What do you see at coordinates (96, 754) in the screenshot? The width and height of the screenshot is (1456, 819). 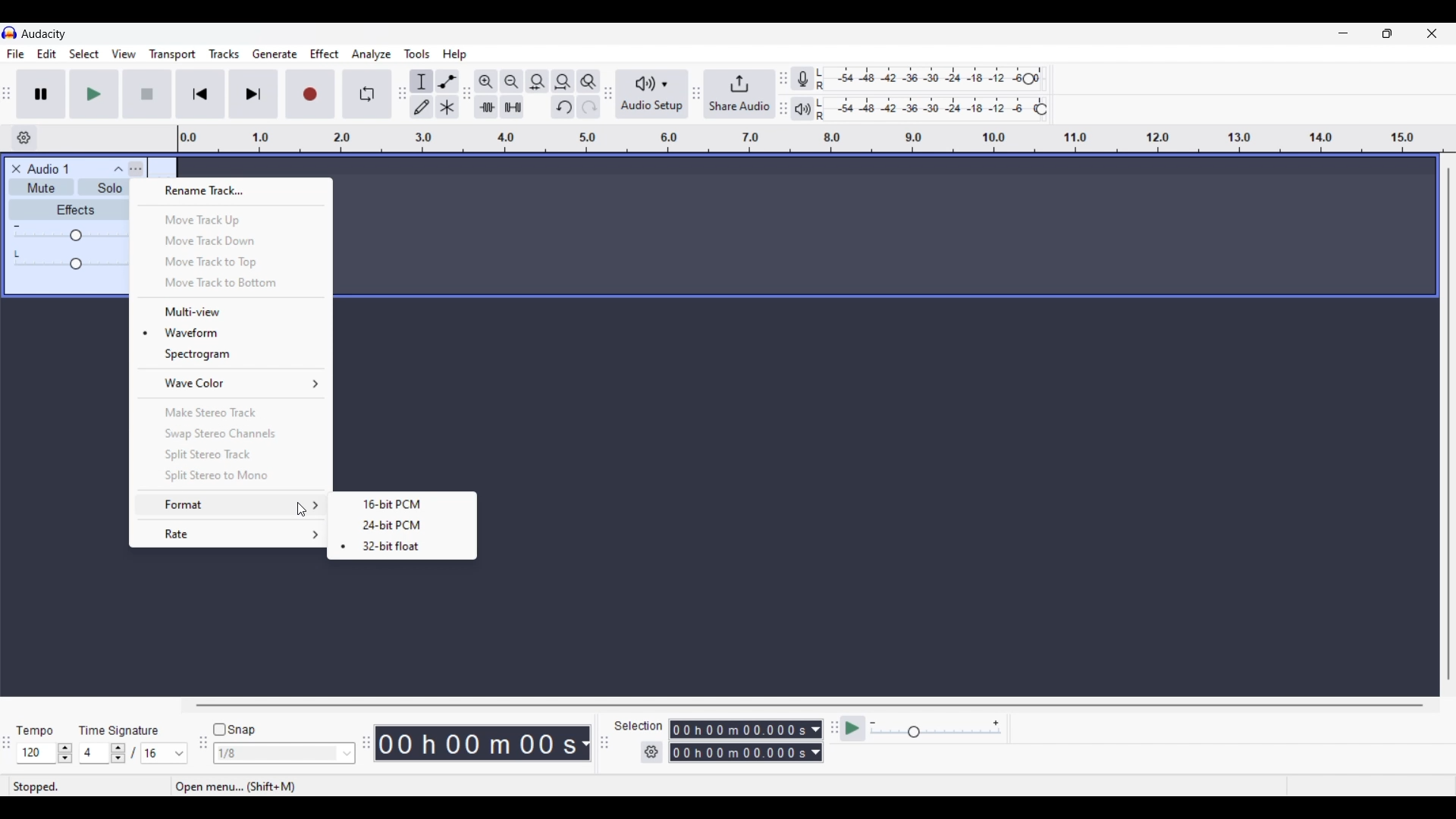 I see `Selected time signature` at bounding box center [96, 754].